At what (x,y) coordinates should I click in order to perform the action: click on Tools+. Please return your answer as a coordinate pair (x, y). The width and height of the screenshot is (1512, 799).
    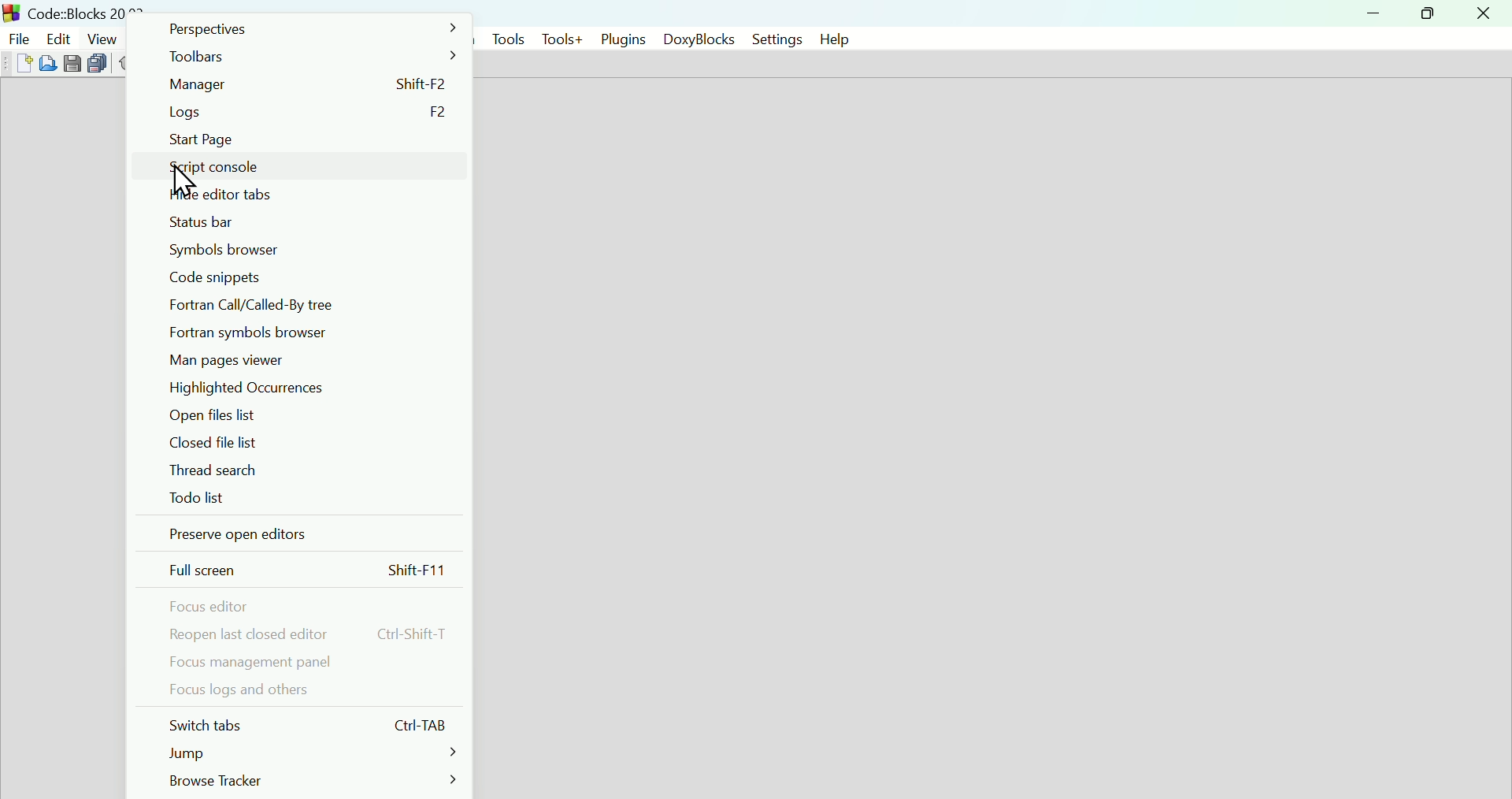
    Looking at the image, I should click on (562, 39).